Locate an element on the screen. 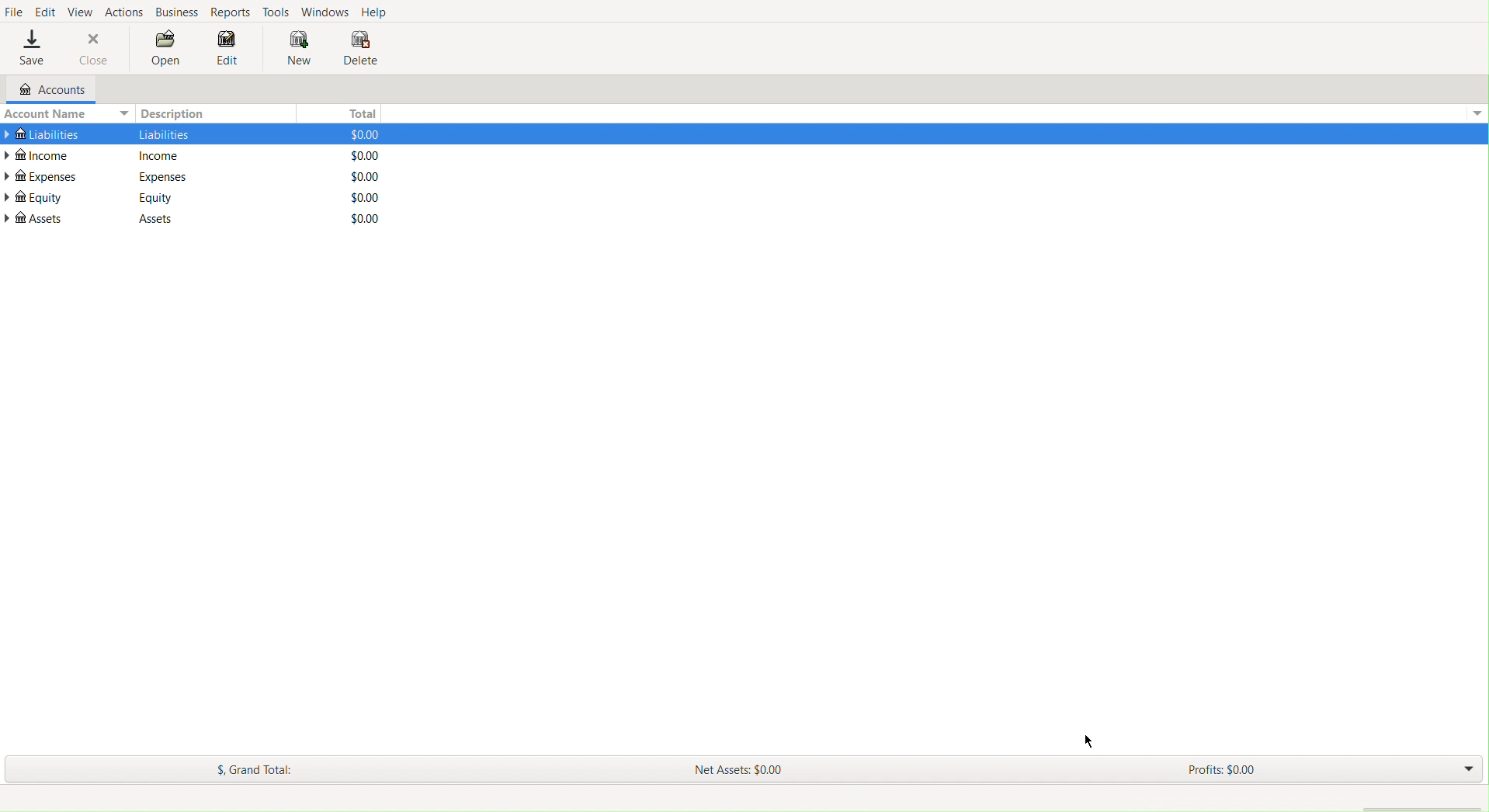 This screenshot has height=812, width=1489. Save is located at coordinates (32, 49).